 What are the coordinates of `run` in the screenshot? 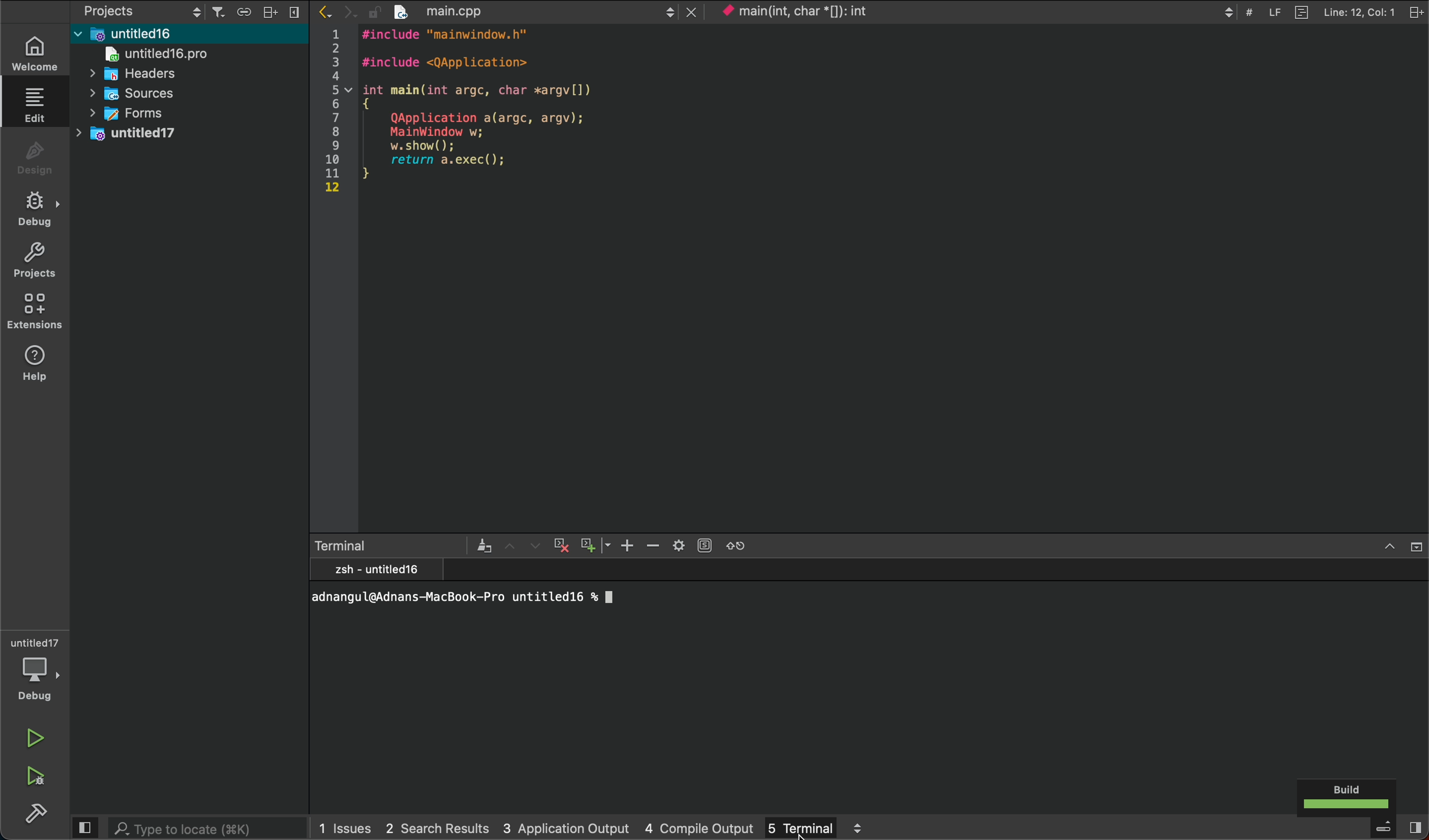 It's located at (34, 737).